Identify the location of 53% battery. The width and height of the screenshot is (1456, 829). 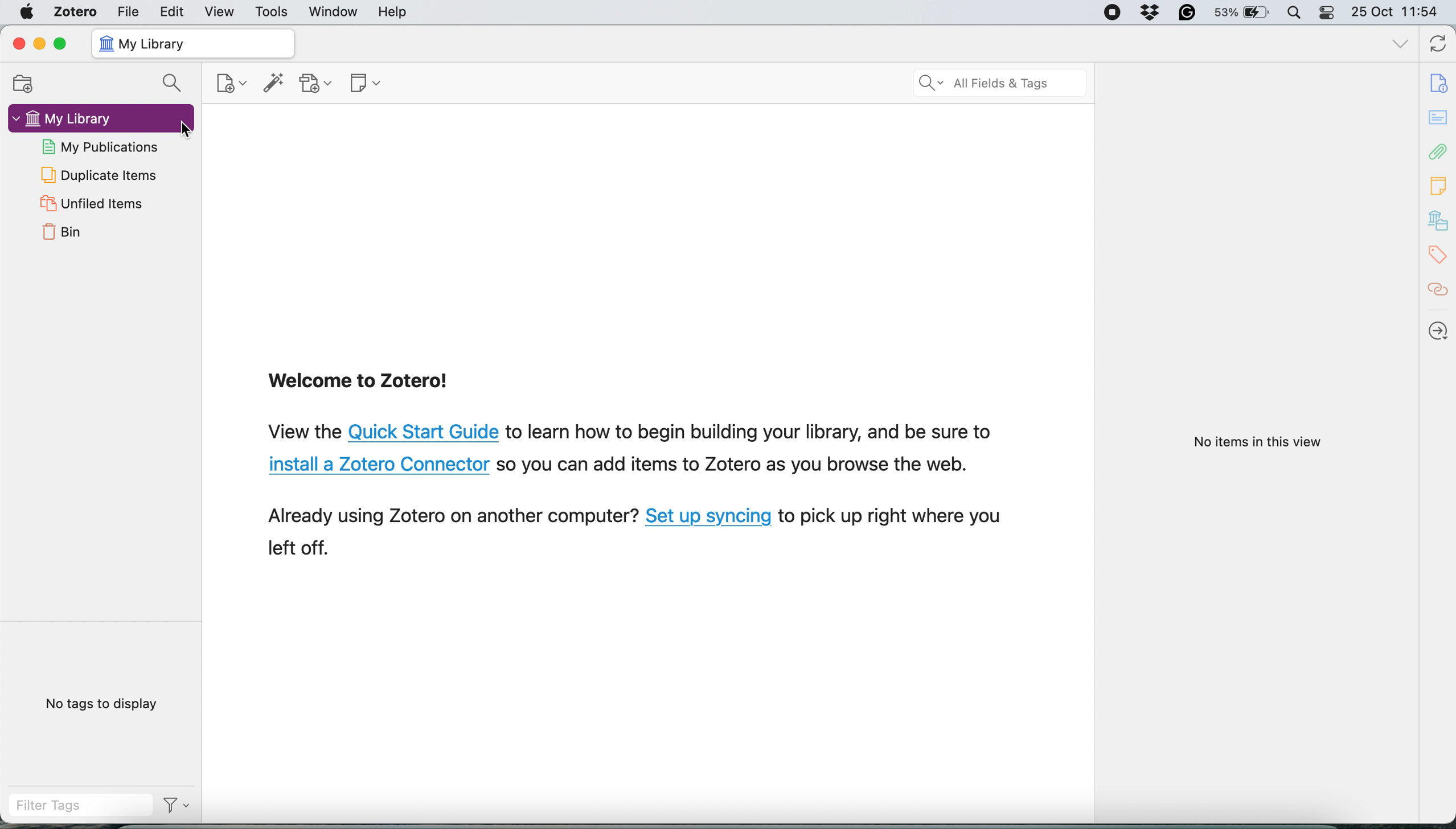
(1245, 13).